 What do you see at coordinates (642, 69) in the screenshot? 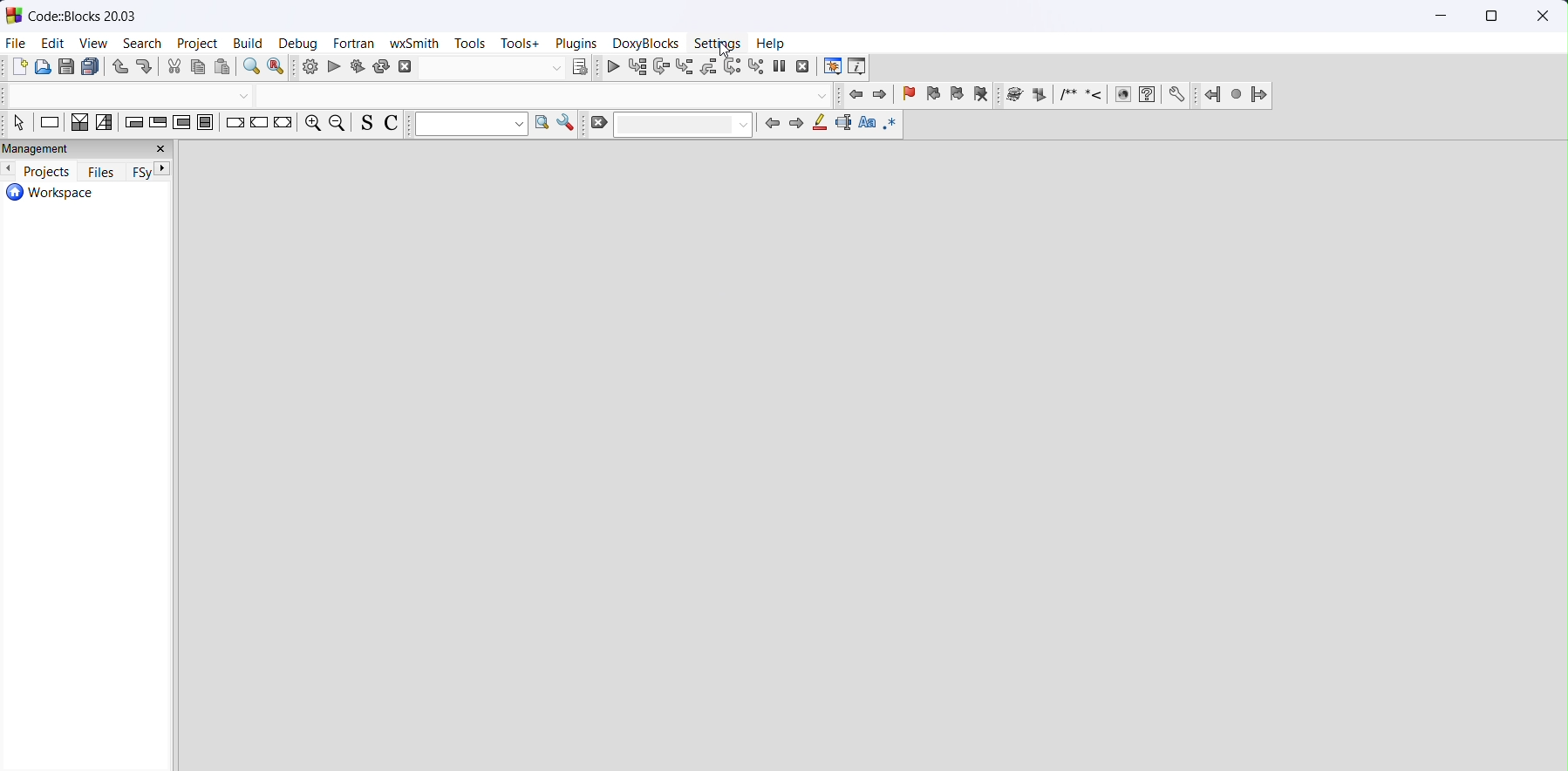
I see `run to cursor` at bounding box center [642, 69].